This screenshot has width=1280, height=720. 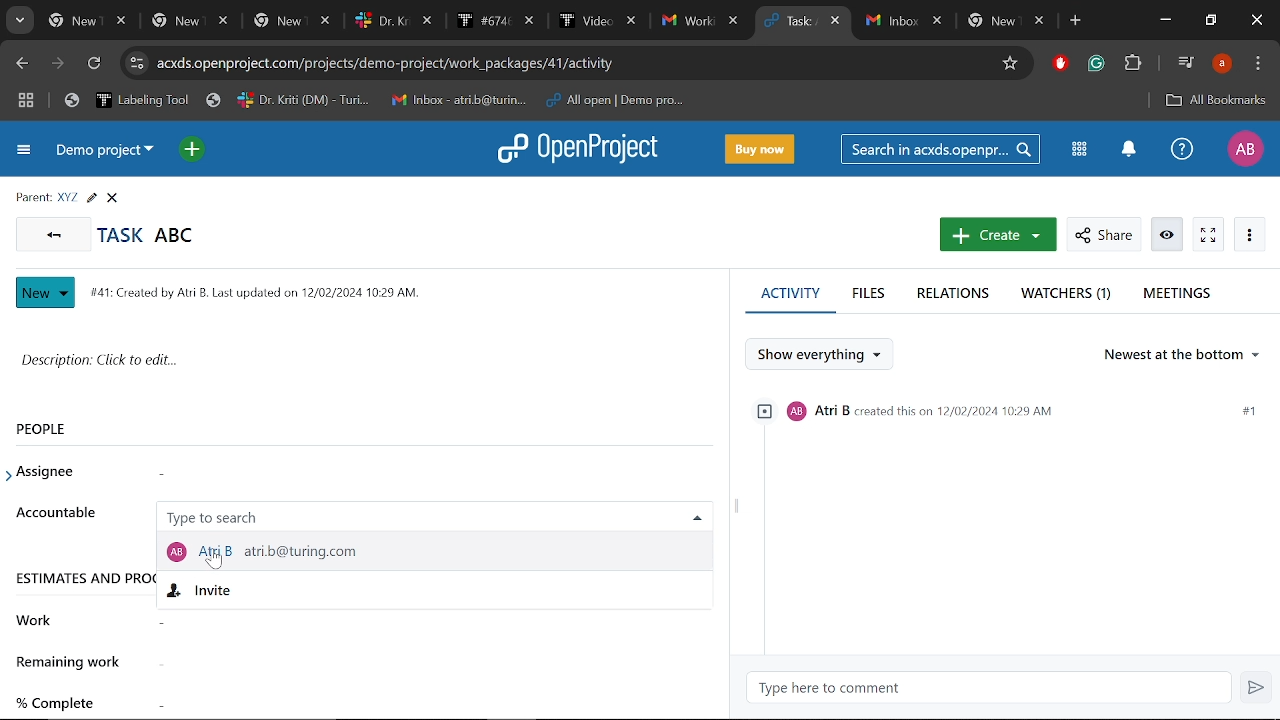 I want to click on Type here to comment, so click(x=988, y=689).